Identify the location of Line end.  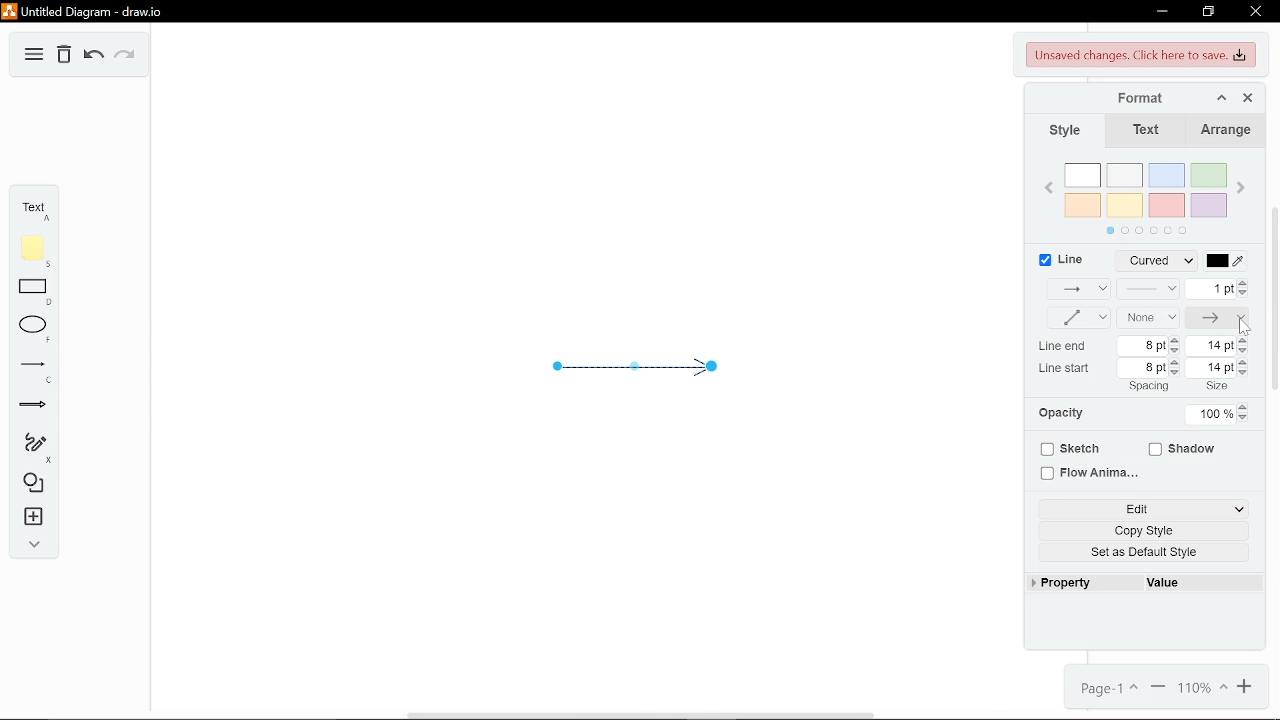
(1218, 318).